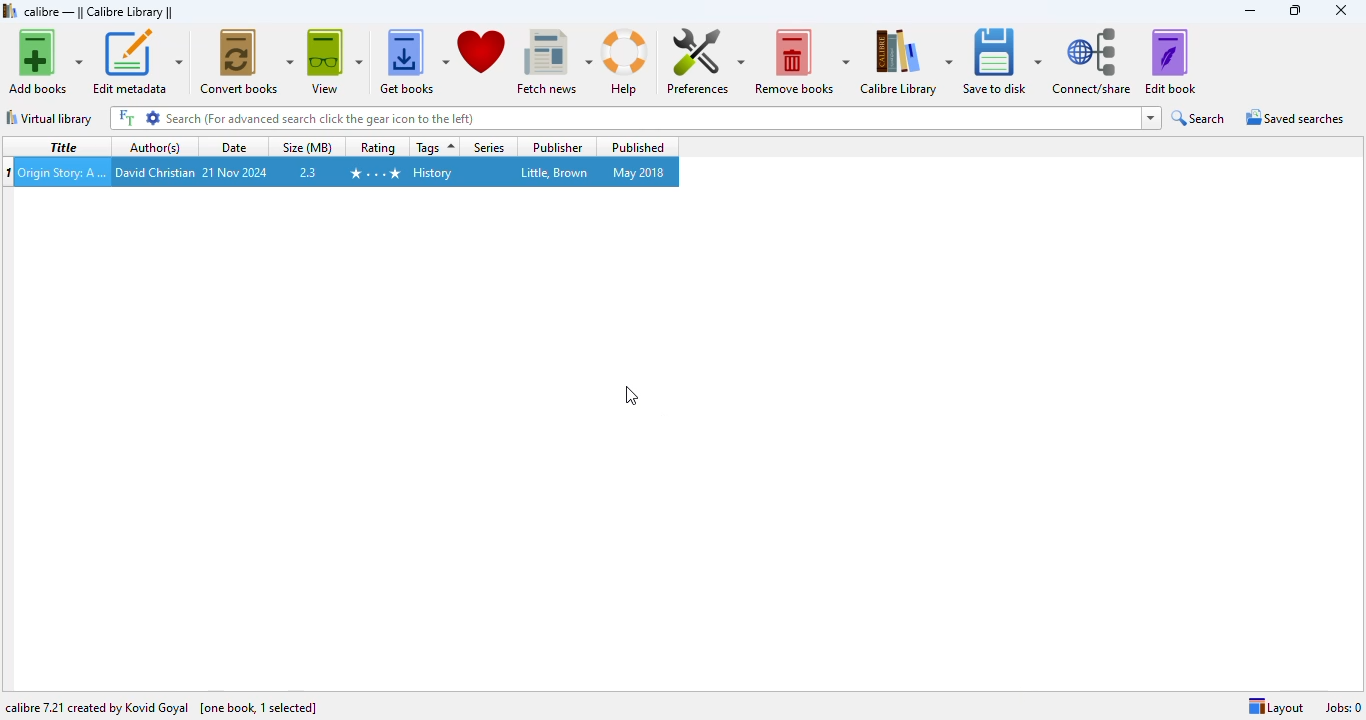  I want to click on remove books, so click(803, 60).